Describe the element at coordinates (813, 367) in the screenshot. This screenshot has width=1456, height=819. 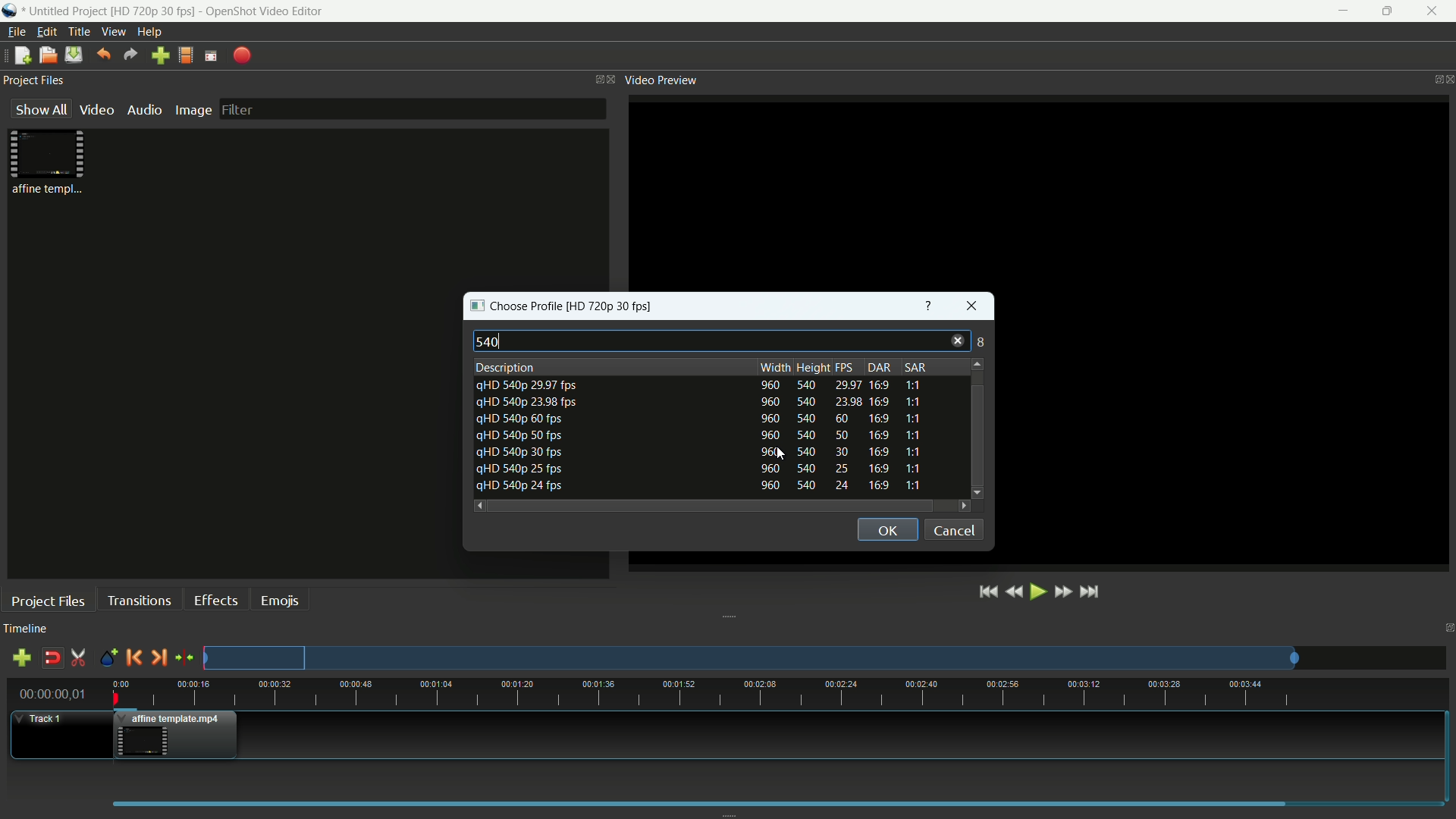
I see `height` at that location.